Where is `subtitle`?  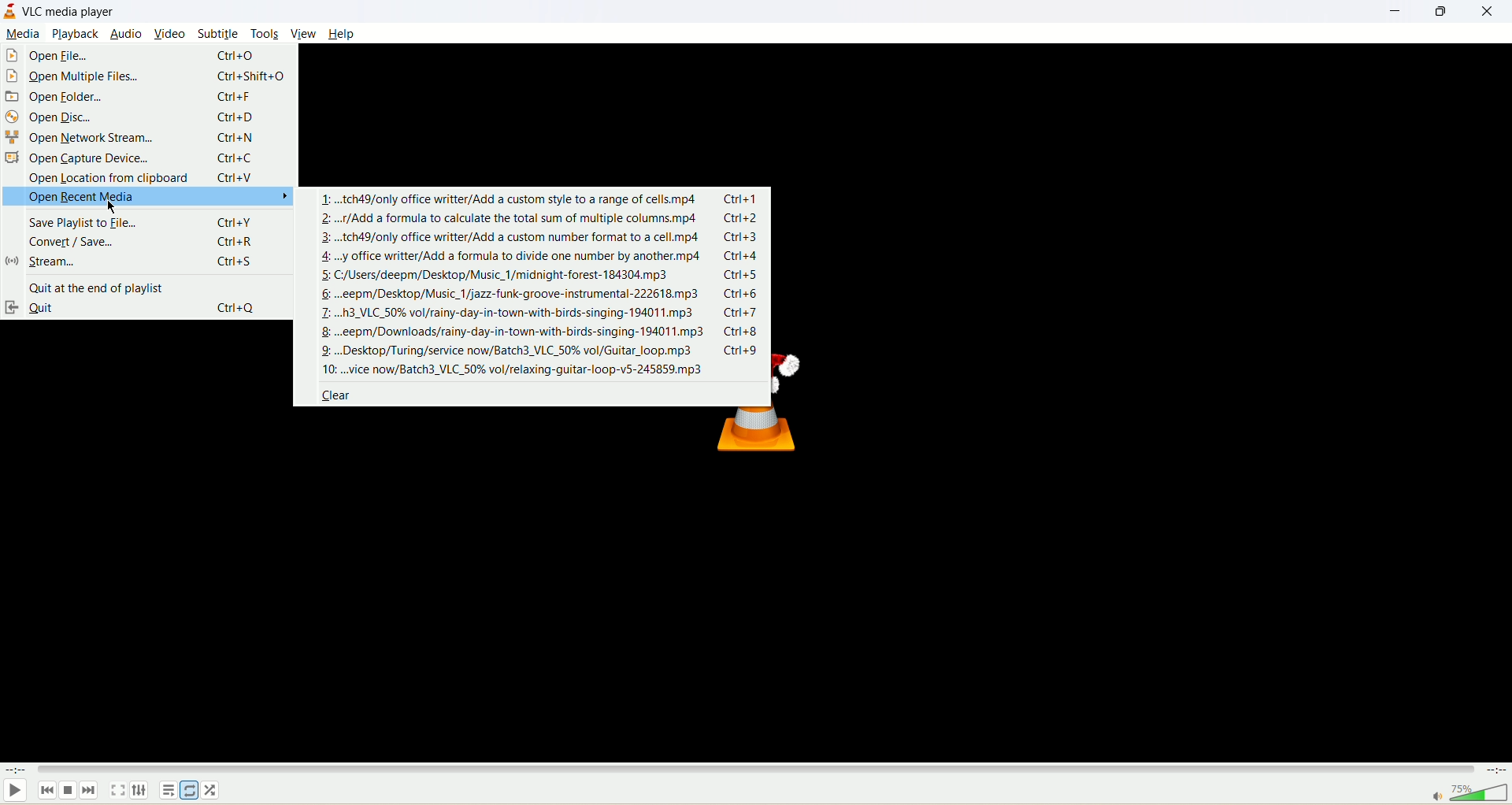
subtitle is located at coordinates (218, 34).